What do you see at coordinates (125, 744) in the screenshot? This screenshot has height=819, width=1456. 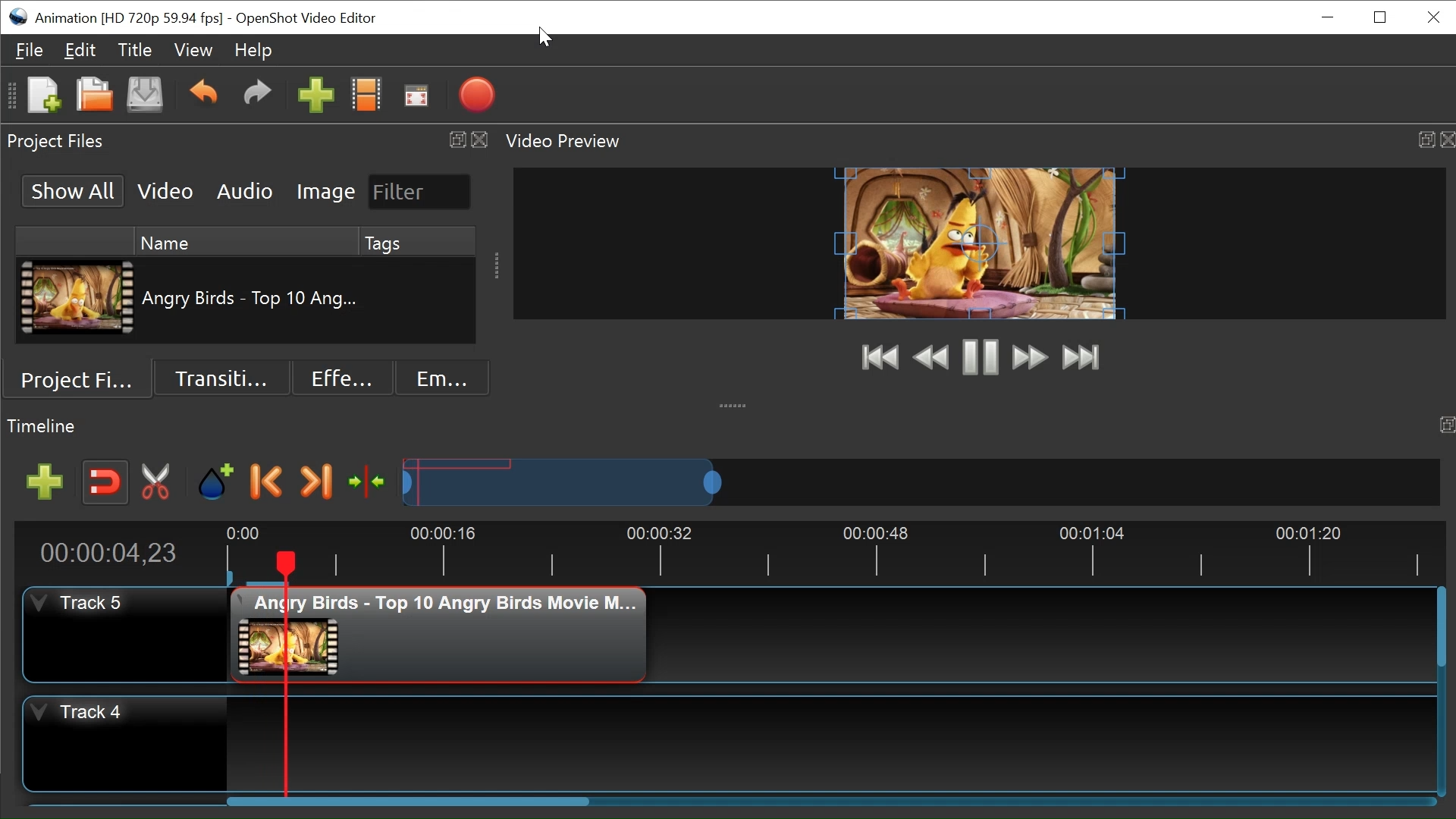 I see `Track Header` at bounding box center [125, 744].